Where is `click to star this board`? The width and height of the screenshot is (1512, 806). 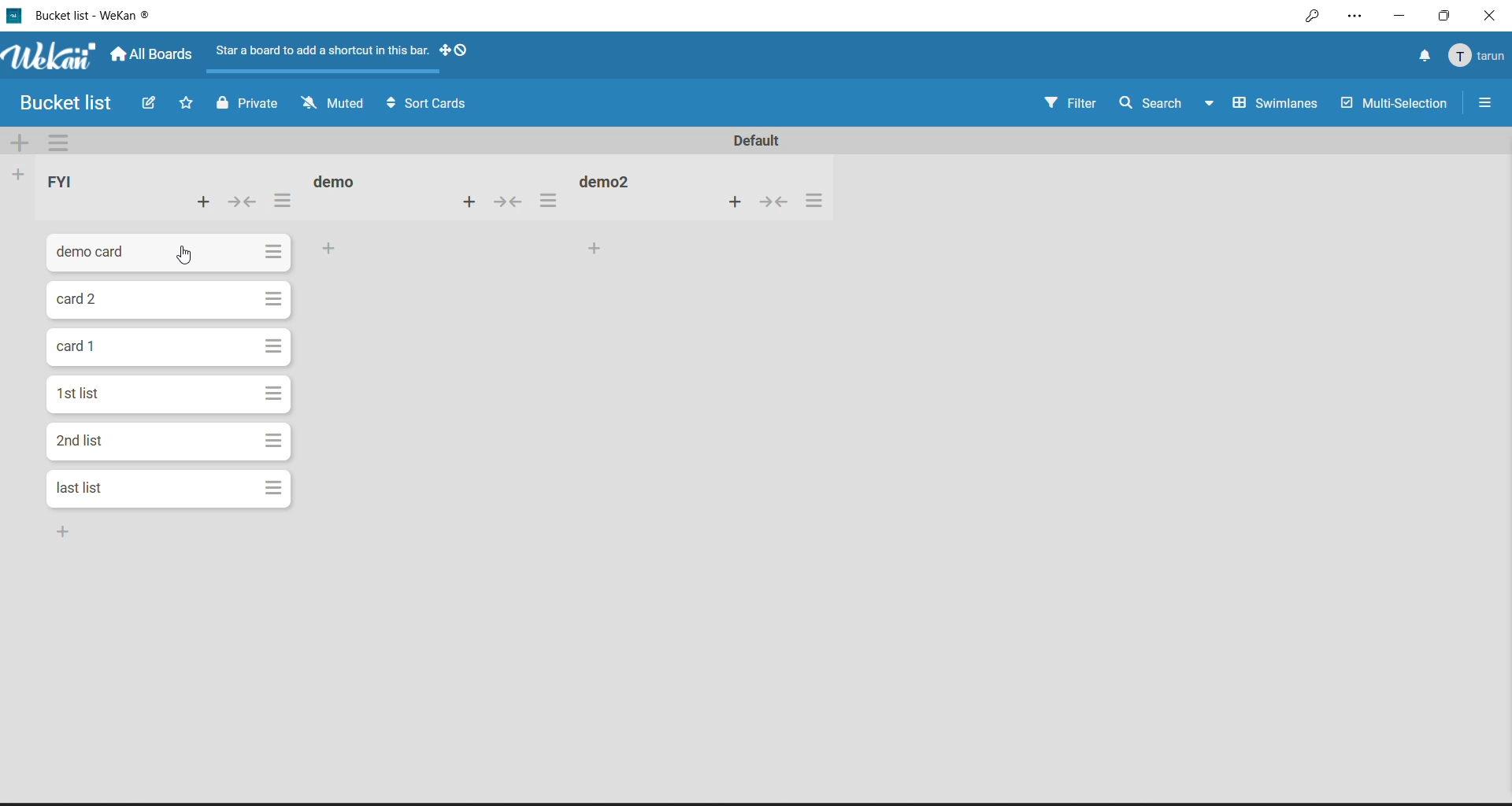
click to star this board is located at coordinates (186, 102).